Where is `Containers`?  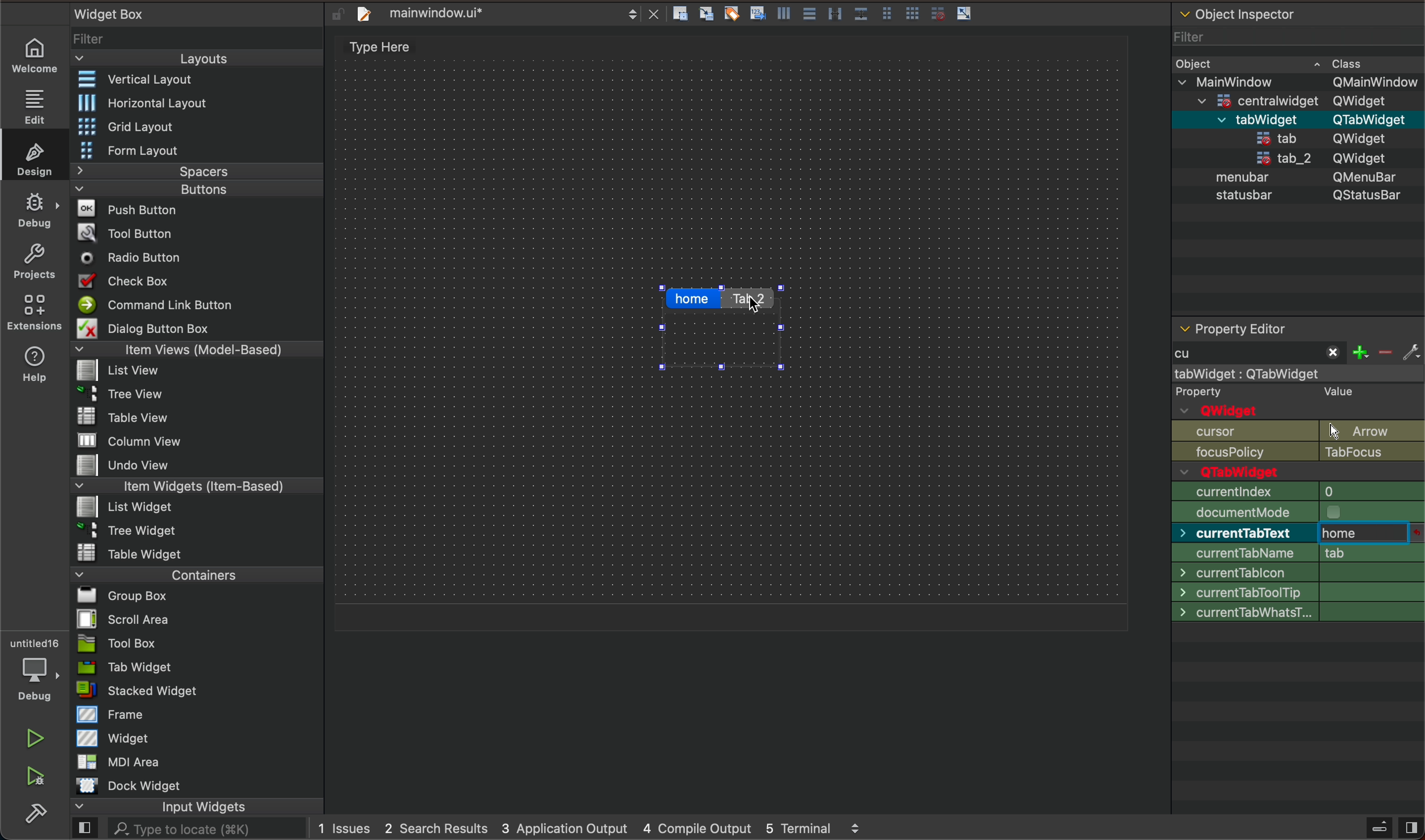 Containers is located at coordinates (194, 573).